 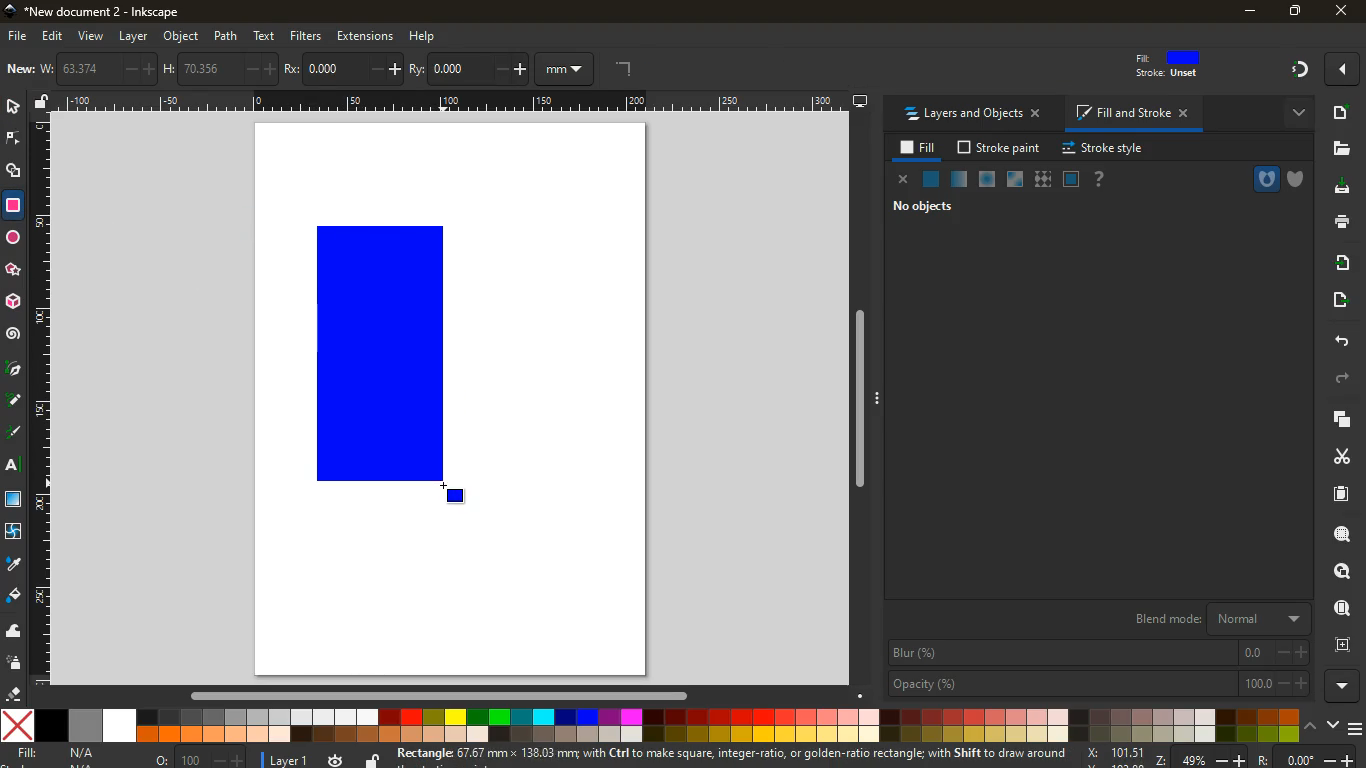 I want to click on , so click(x=13, y=240).